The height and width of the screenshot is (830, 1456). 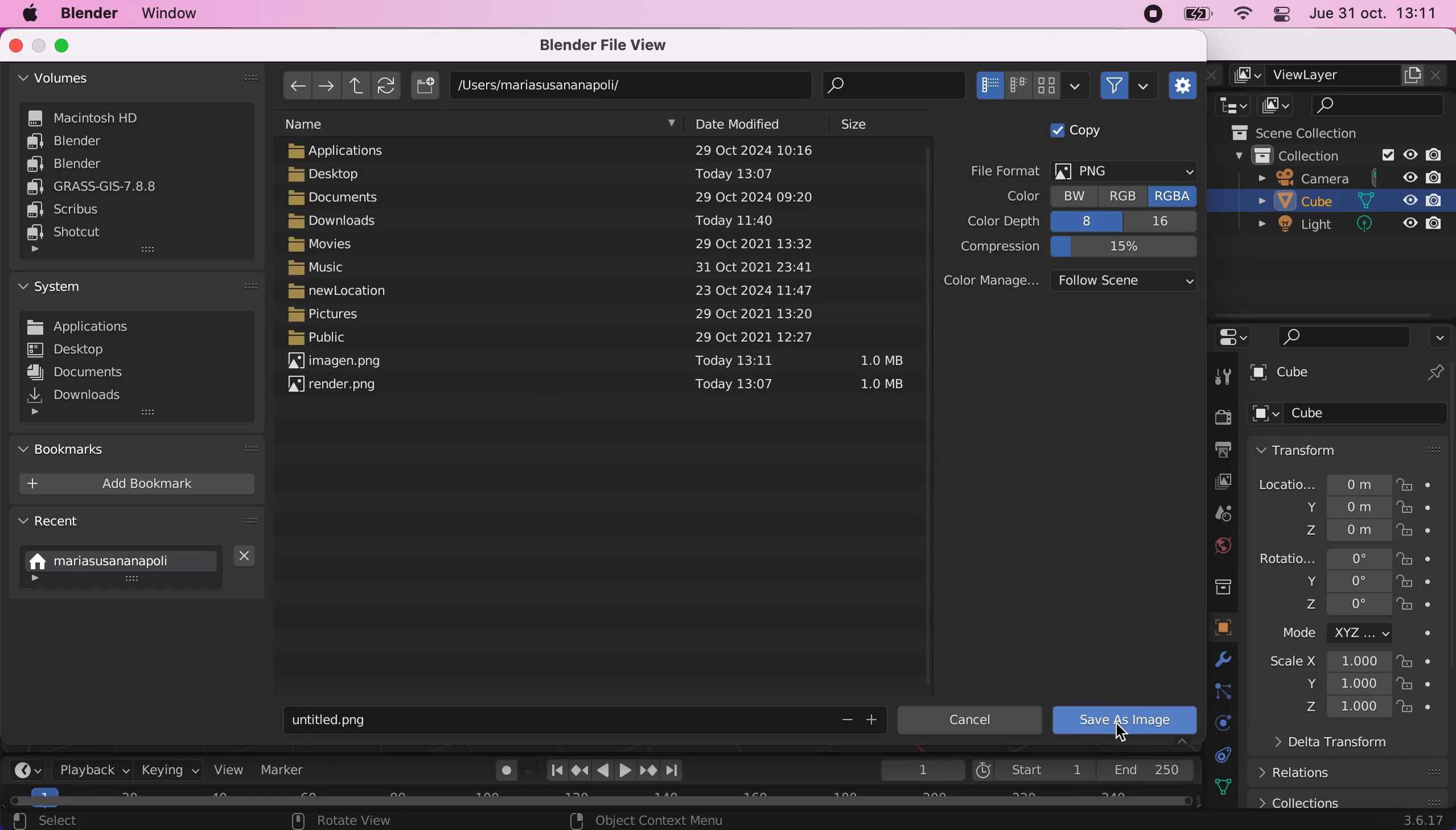 I want to click on delta transform, so click(x=1322, y=746).